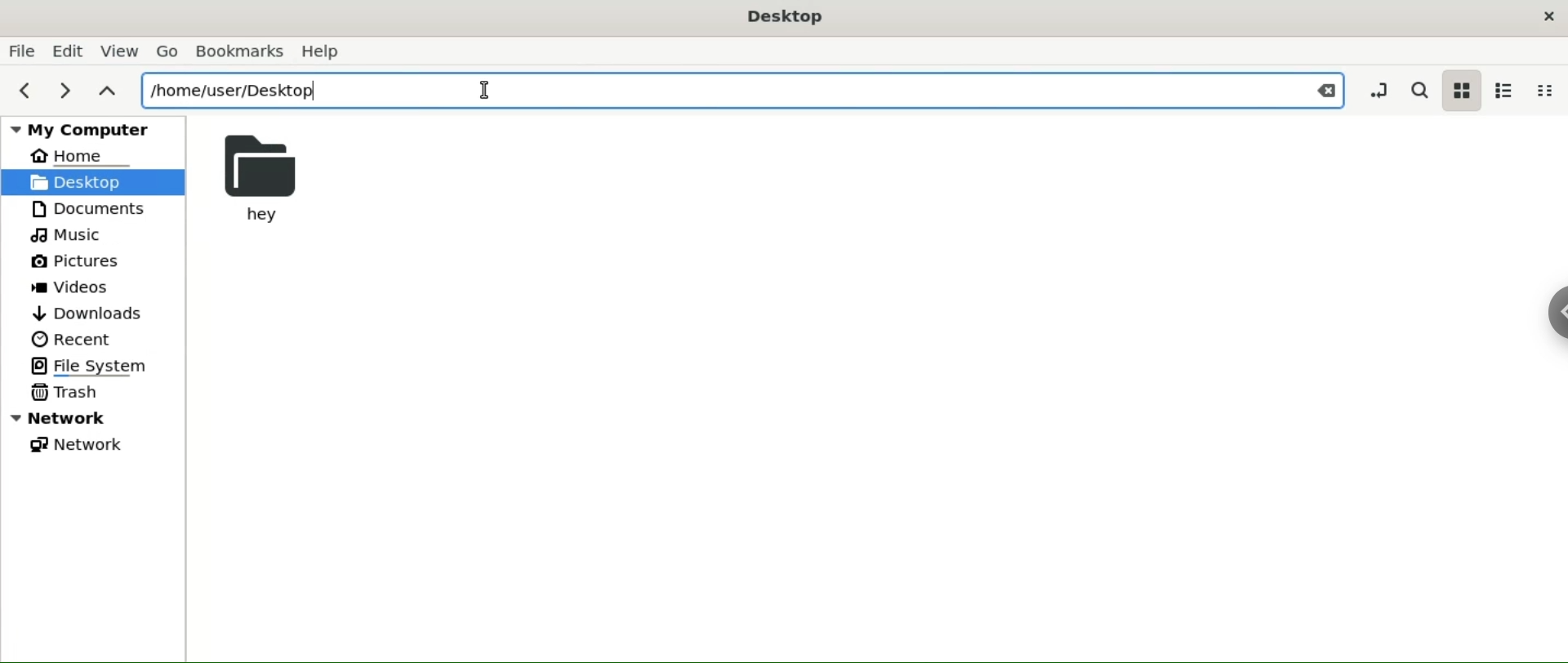 This screenshot has width=1568, height=663. Describe the element at coordinates (65, 394) in the screenshot. I see `trash` at that location.